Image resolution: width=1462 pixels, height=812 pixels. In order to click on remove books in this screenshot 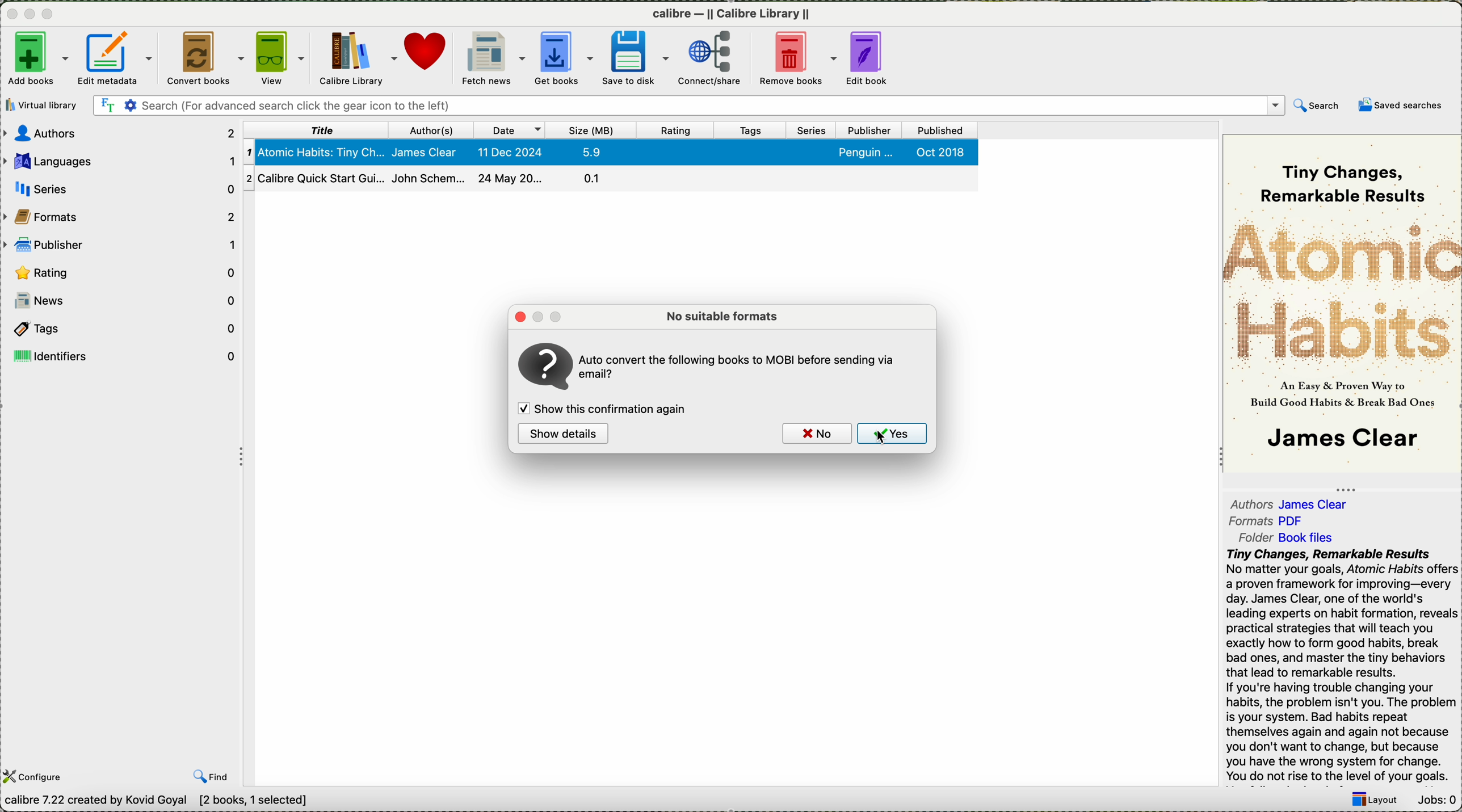, I will do `click(797, 59)`.